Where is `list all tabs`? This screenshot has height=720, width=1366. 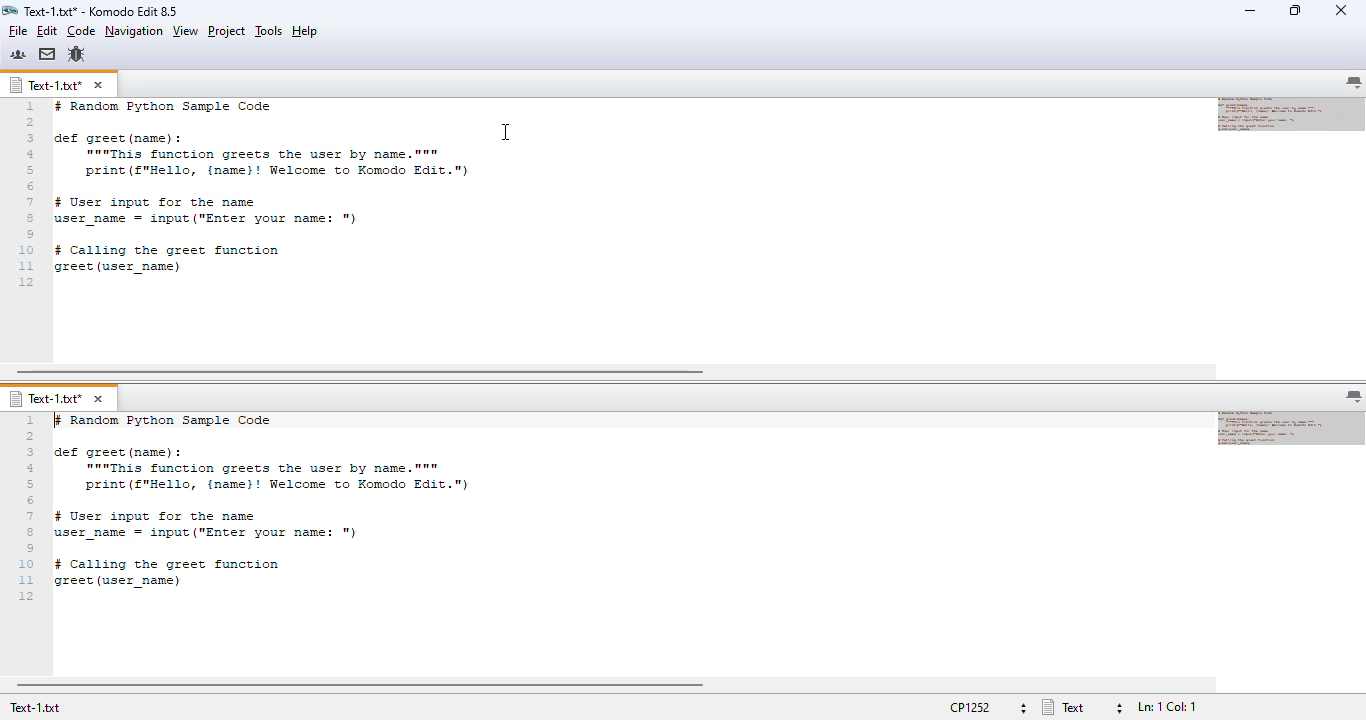
list all tabs is located at coordinates (1353, 397).